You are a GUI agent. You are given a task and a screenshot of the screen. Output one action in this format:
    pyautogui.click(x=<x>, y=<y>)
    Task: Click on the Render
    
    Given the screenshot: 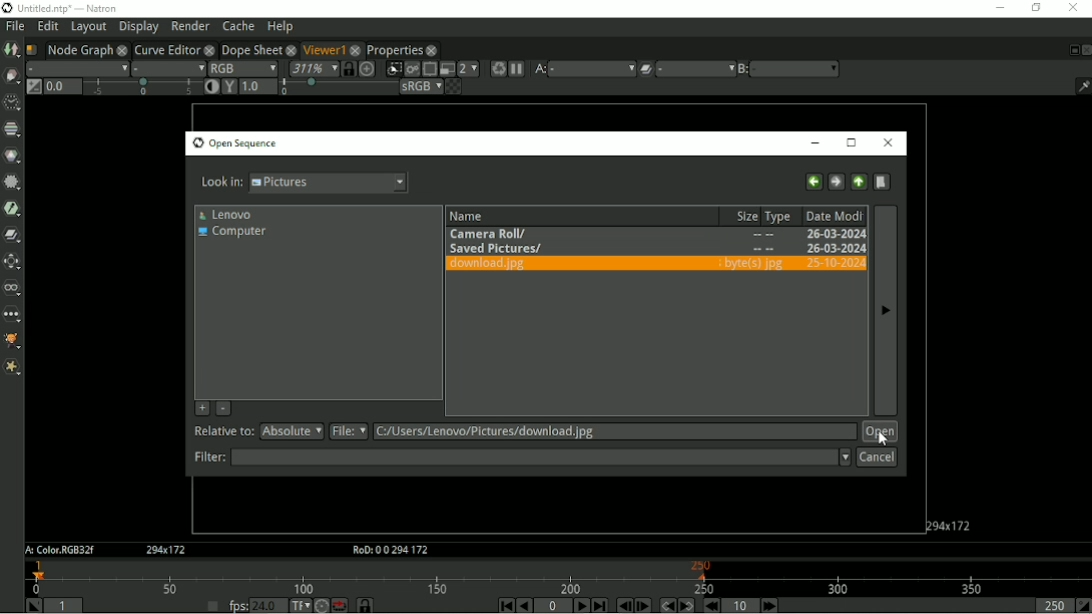 What is the action you would take?
    pyautogui.click(x=190, y=26)
    